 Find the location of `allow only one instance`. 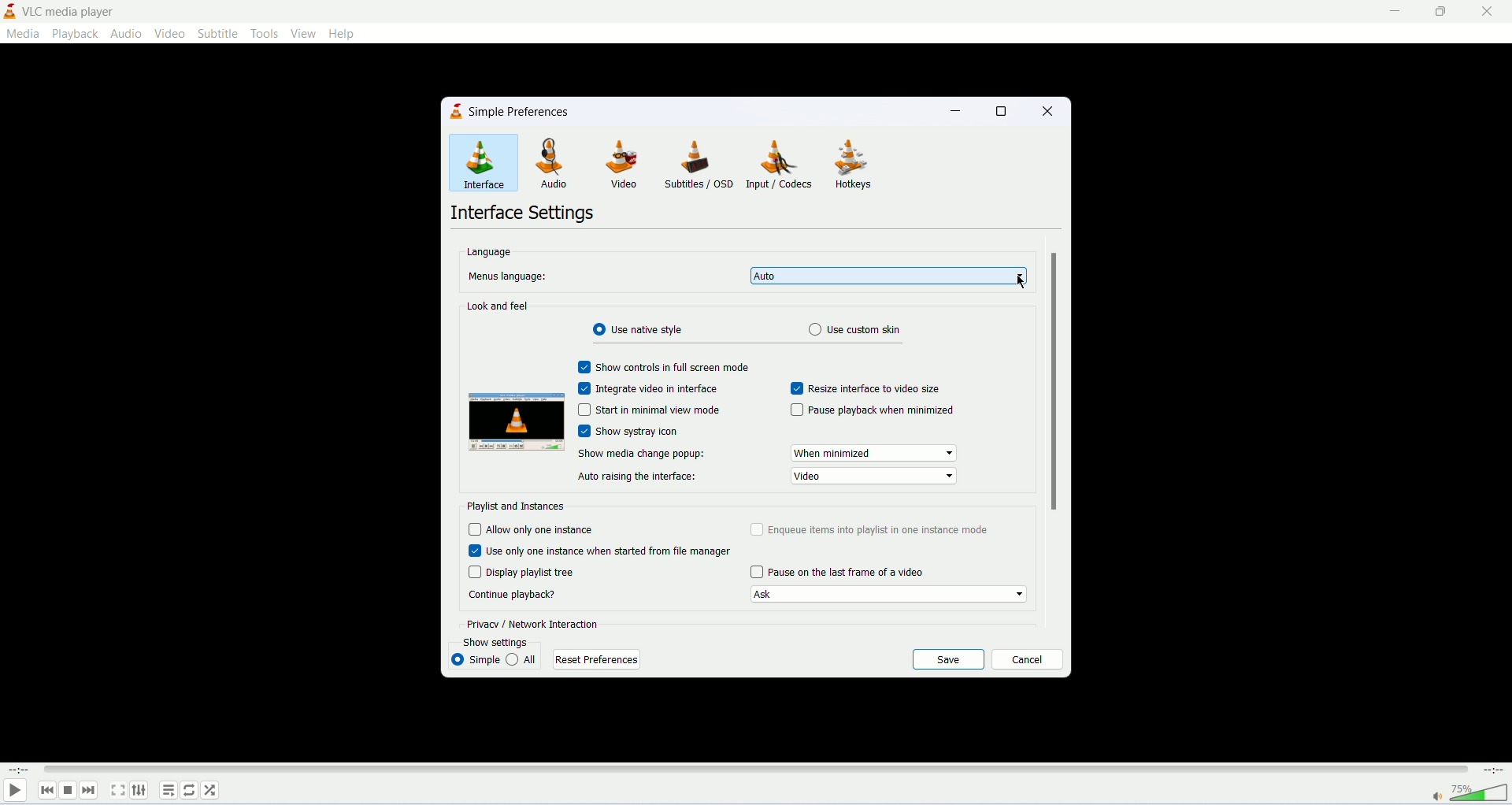

allow only one instance is located at coordinates (532, 529).